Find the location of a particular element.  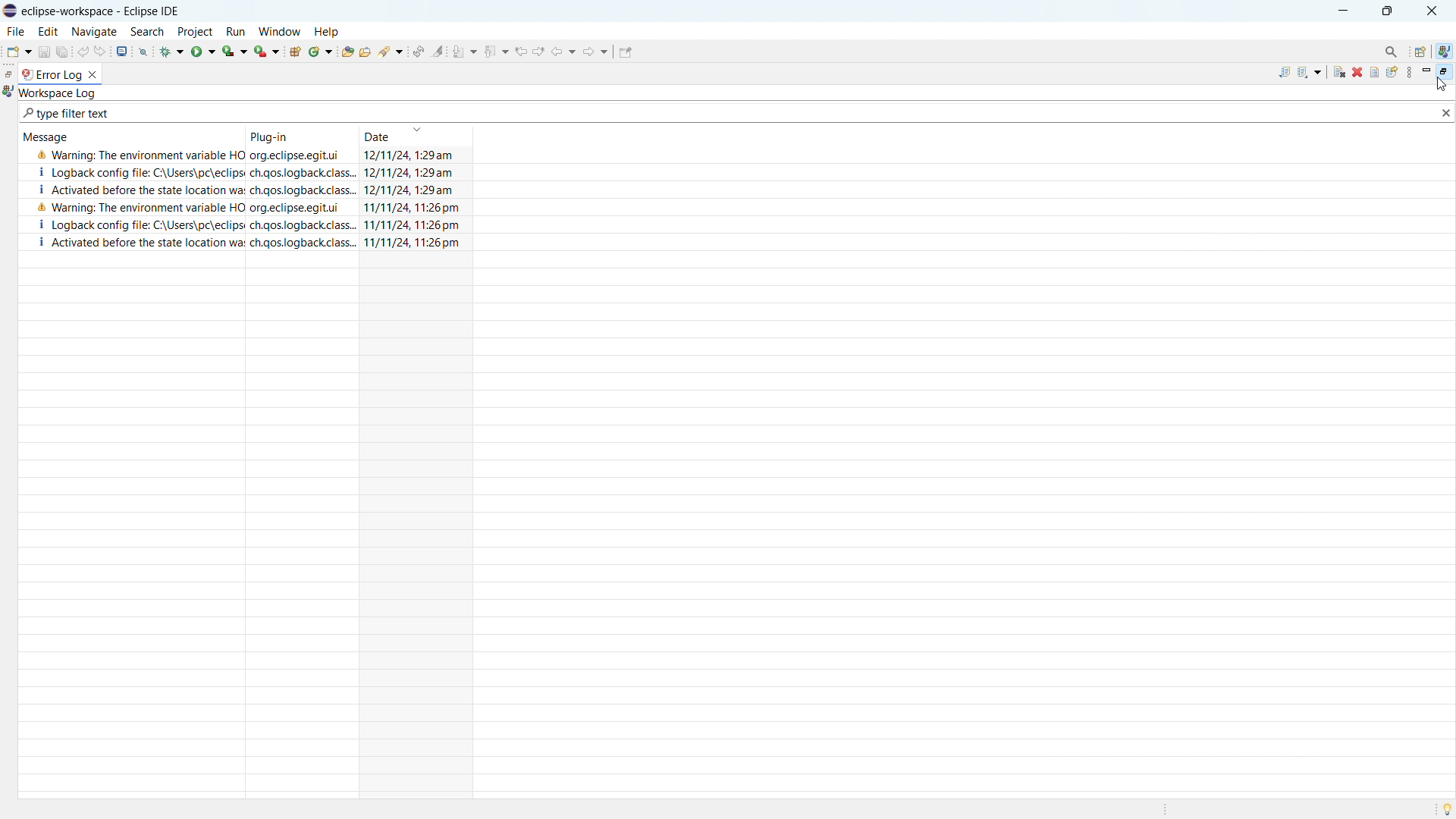

m is located at coordinates (1425, 73).